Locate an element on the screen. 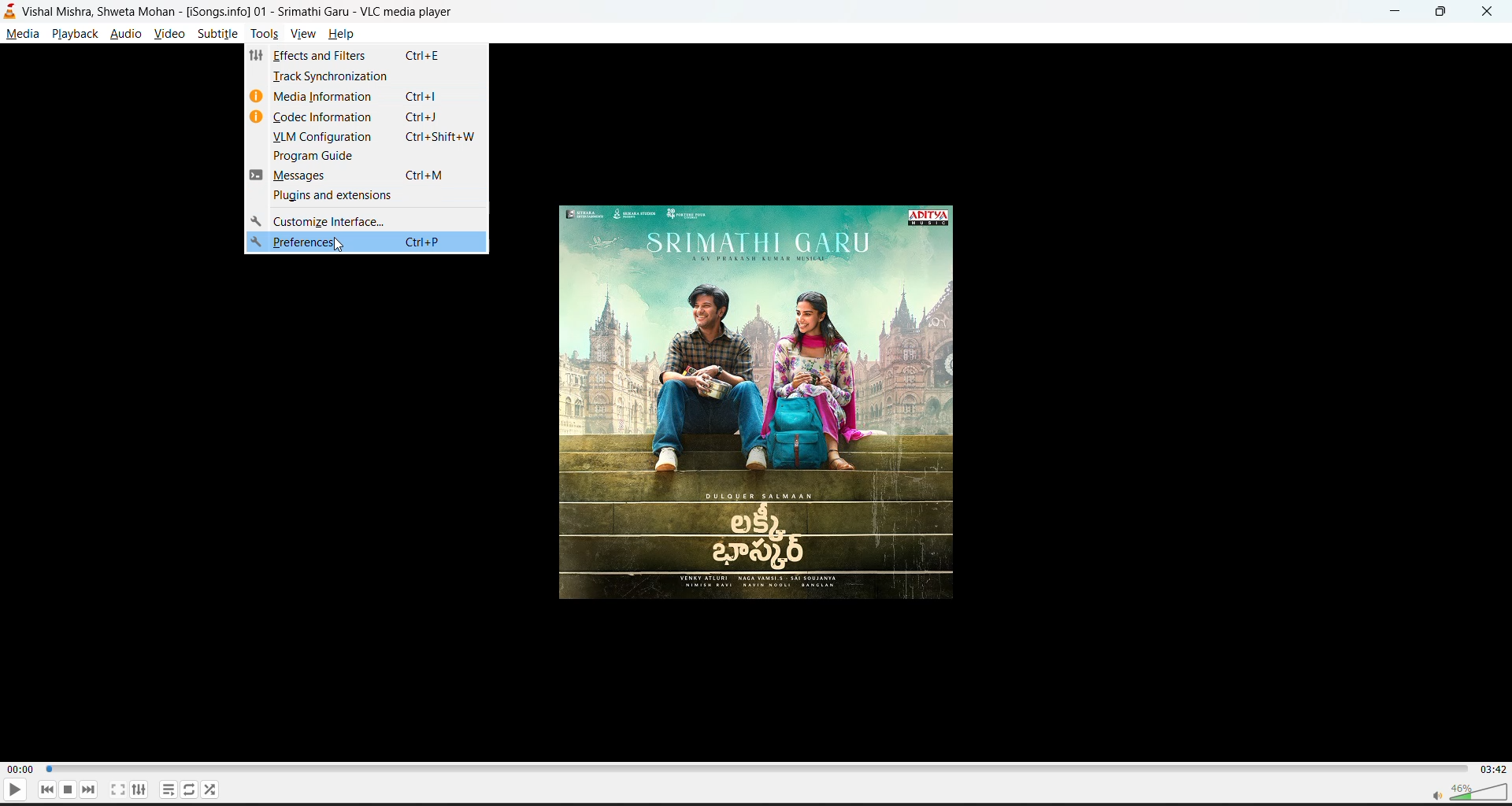  video is located at coordinates (165, 35).